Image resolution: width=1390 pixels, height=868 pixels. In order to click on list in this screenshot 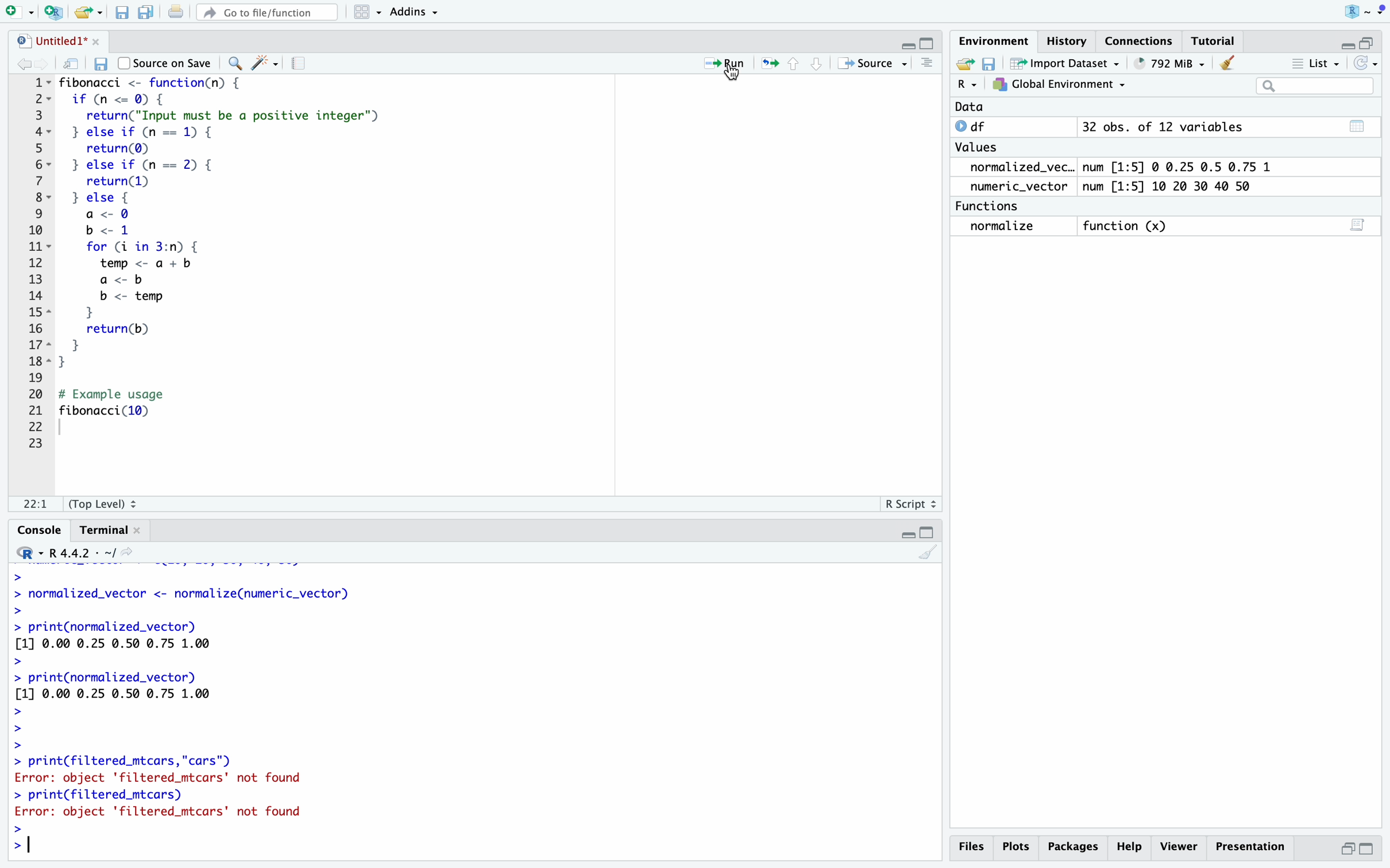, I will do `click(1311, 61)`.